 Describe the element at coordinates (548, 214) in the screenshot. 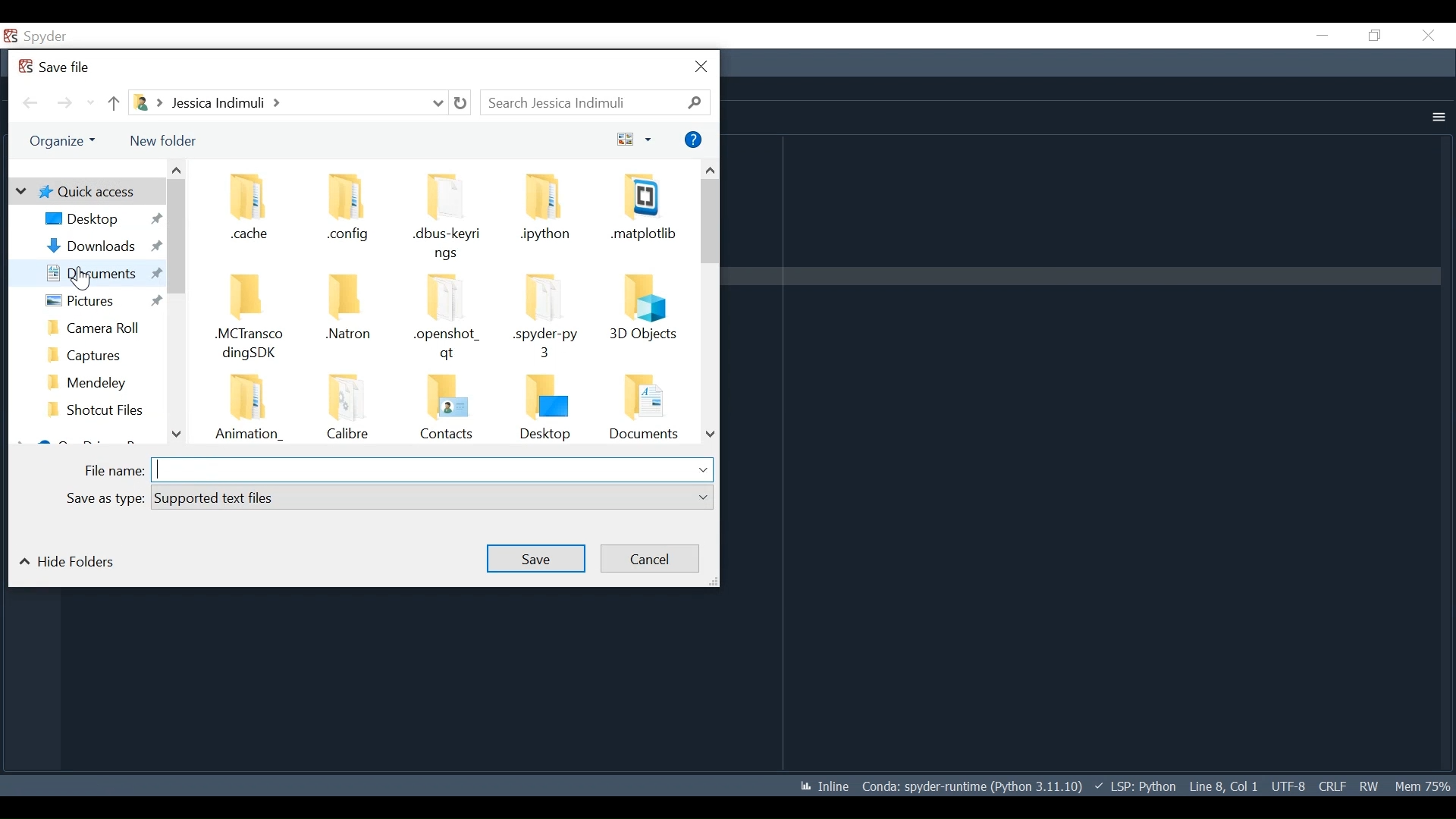

I see `Folder` at that location.